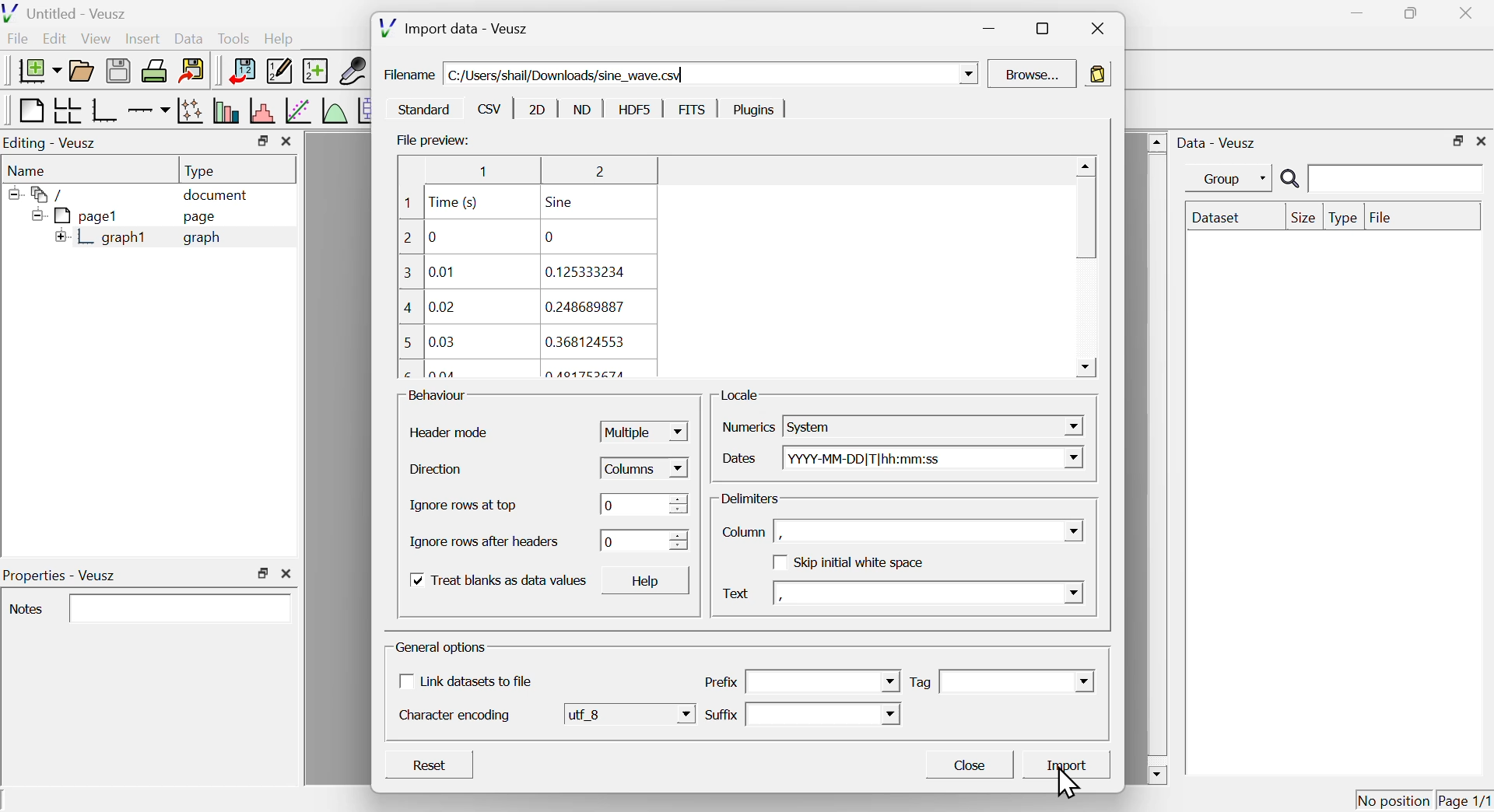 The width and height of the screenshot is (1494, 812). I want to click on no position, so click(1394, 799).